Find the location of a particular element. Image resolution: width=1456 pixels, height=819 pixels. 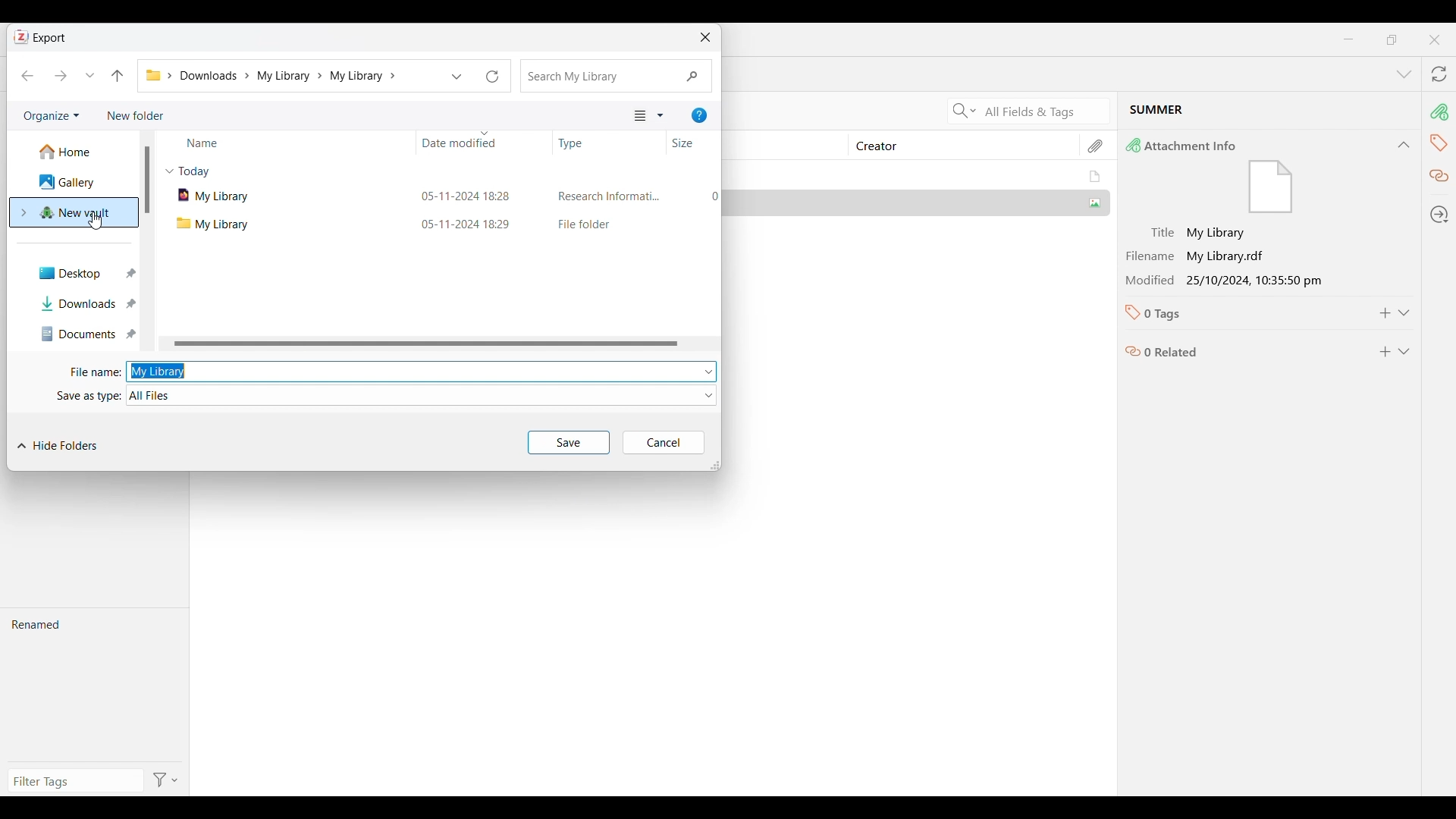

Type in quick search is located at coordinates (616, 76).